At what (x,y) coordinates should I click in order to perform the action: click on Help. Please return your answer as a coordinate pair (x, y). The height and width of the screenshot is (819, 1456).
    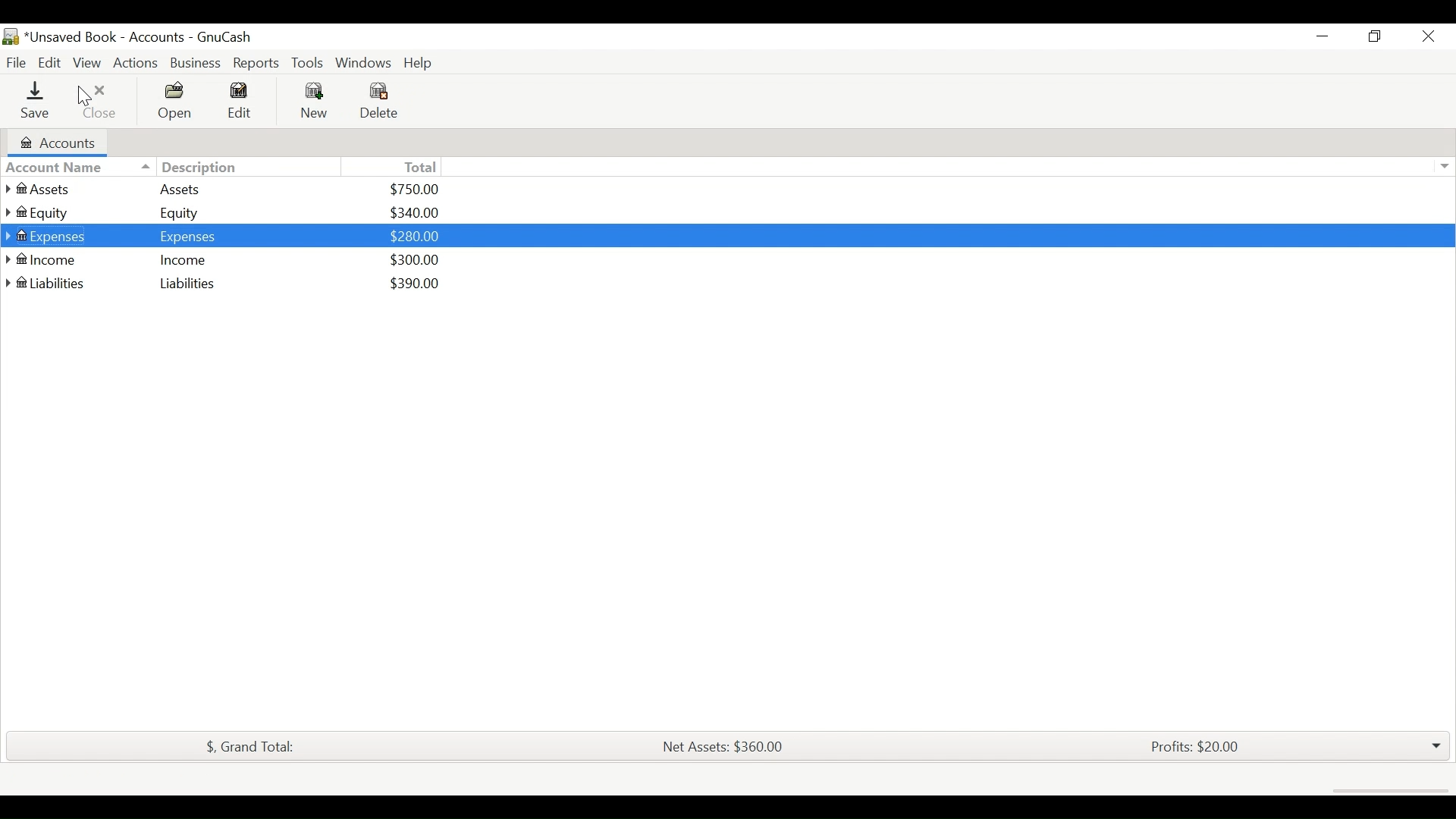
    Looking at the image, I should click on (421, 63).